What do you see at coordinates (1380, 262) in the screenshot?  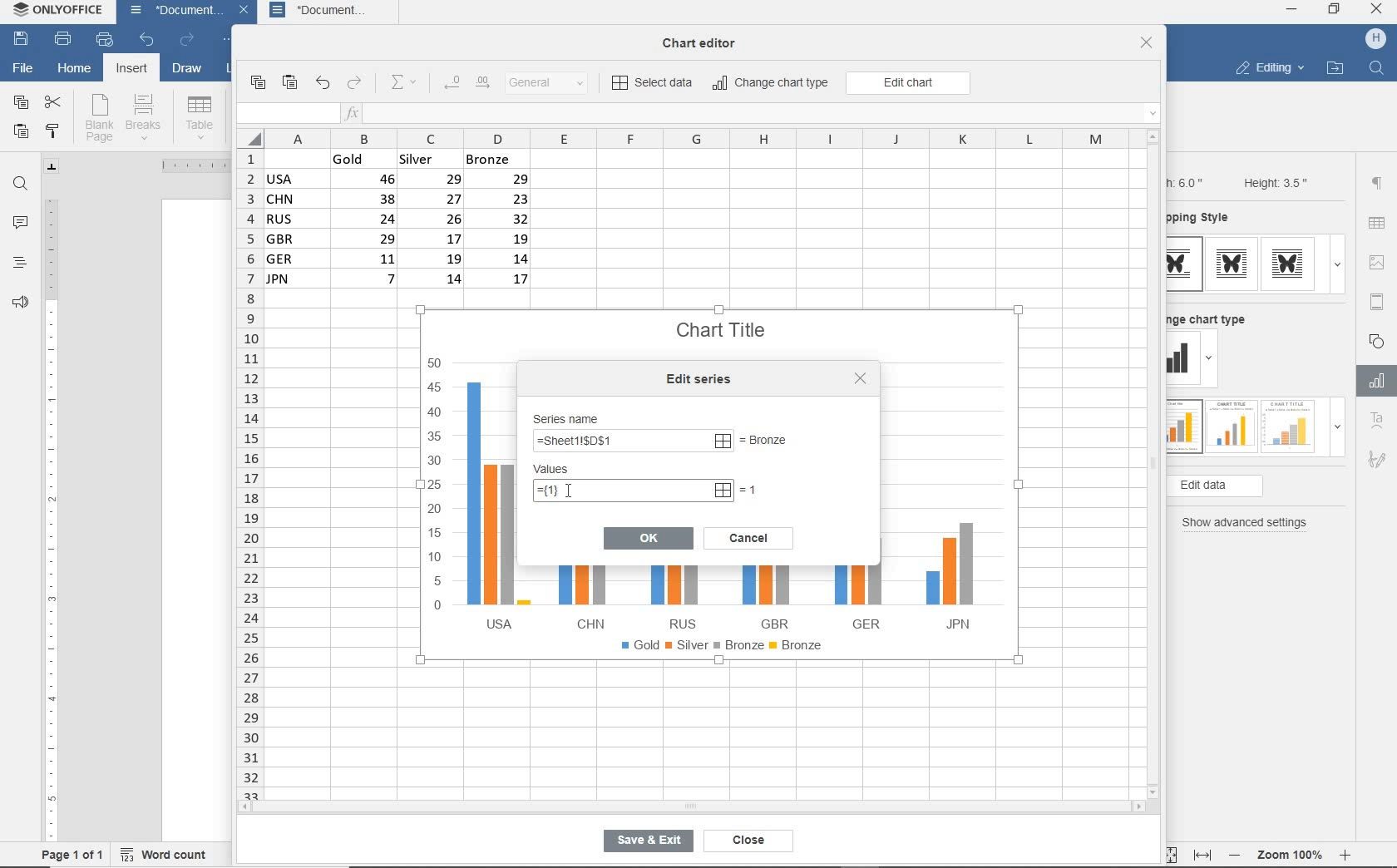 I see `image` at bounding box center [1380, 262].